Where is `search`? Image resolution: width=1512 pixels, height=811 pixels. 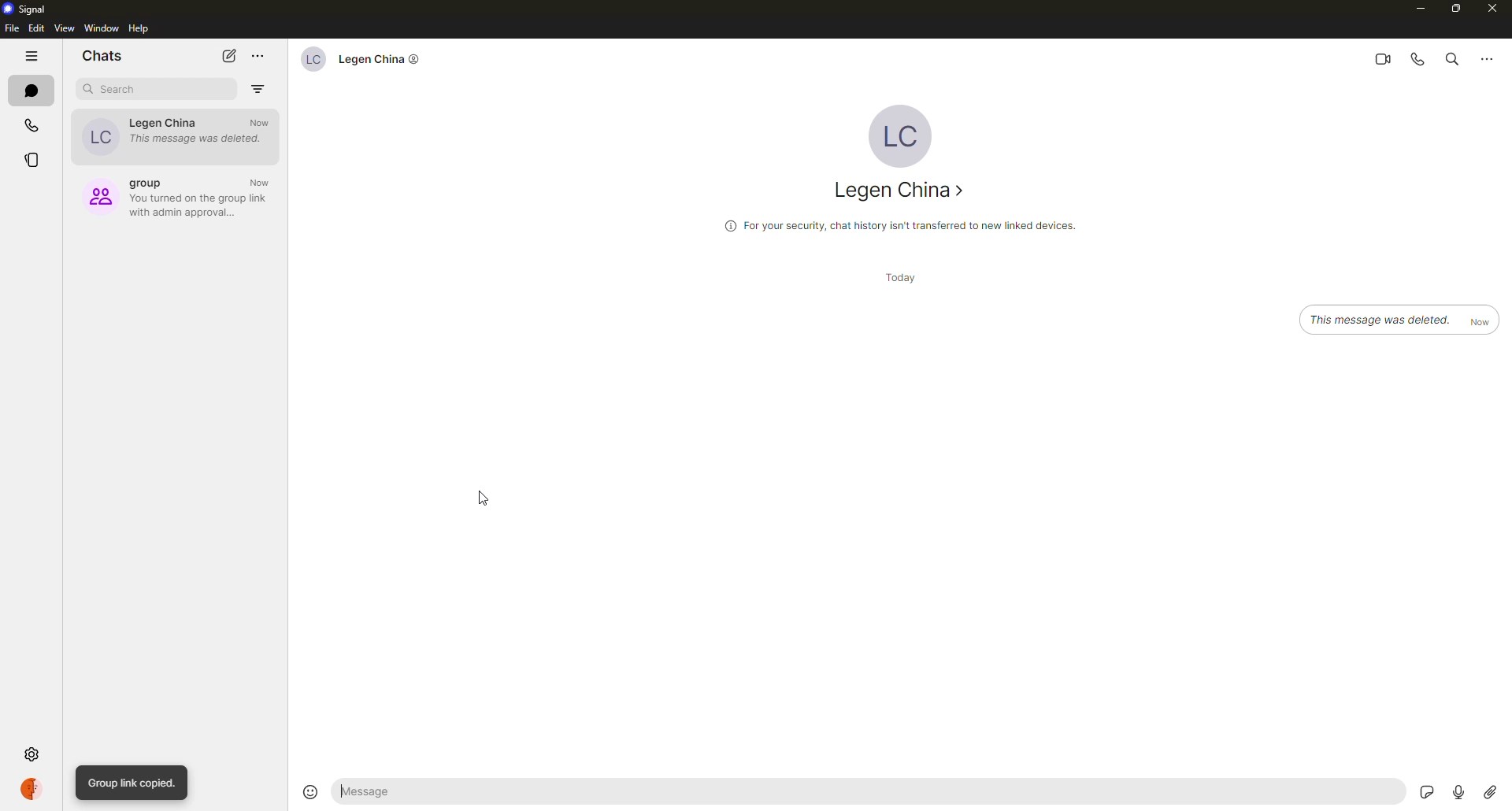 search is located at coordinates (117, 89).